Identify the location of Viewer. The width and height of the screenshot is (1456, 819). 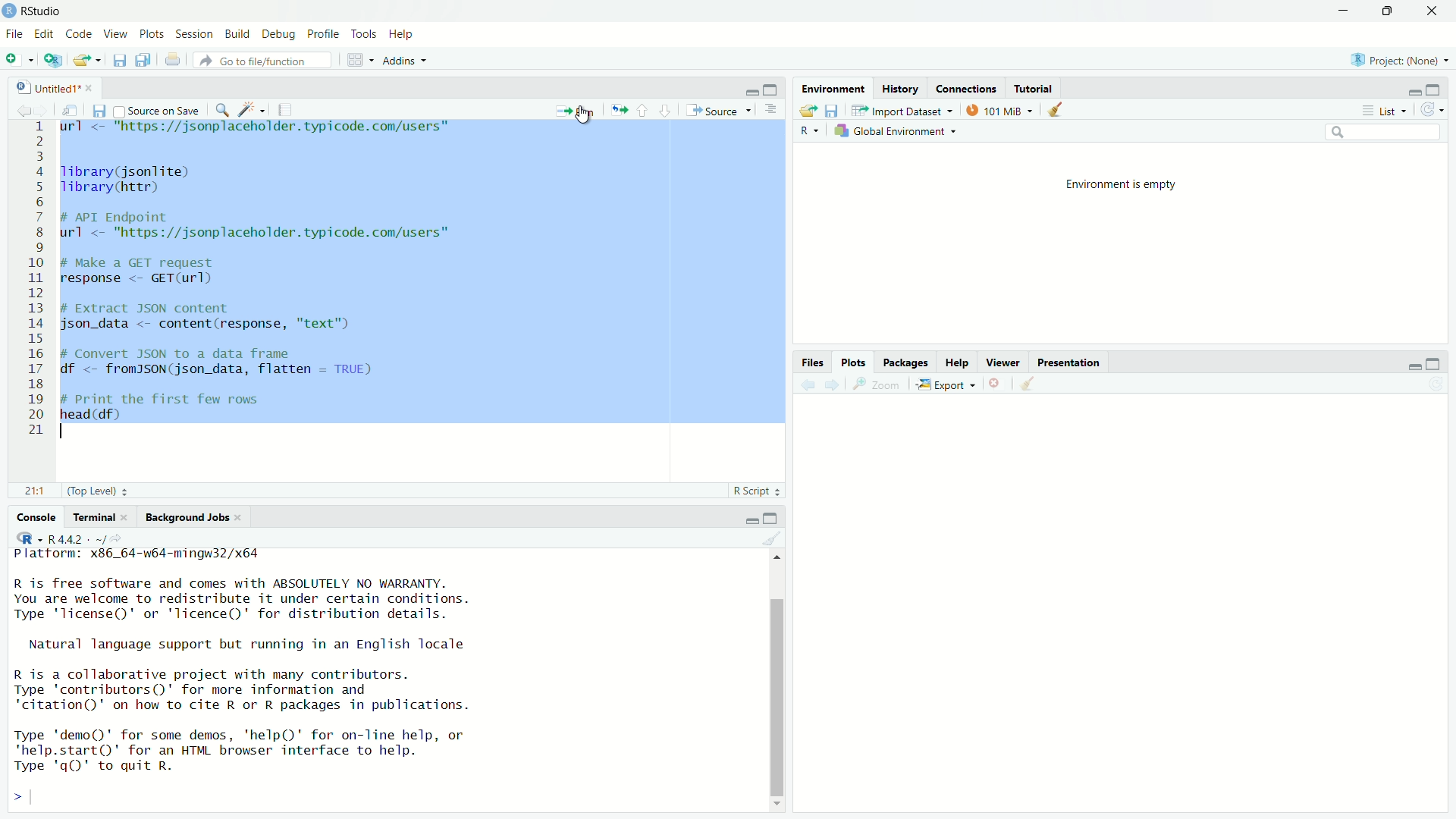
(1004, 363).